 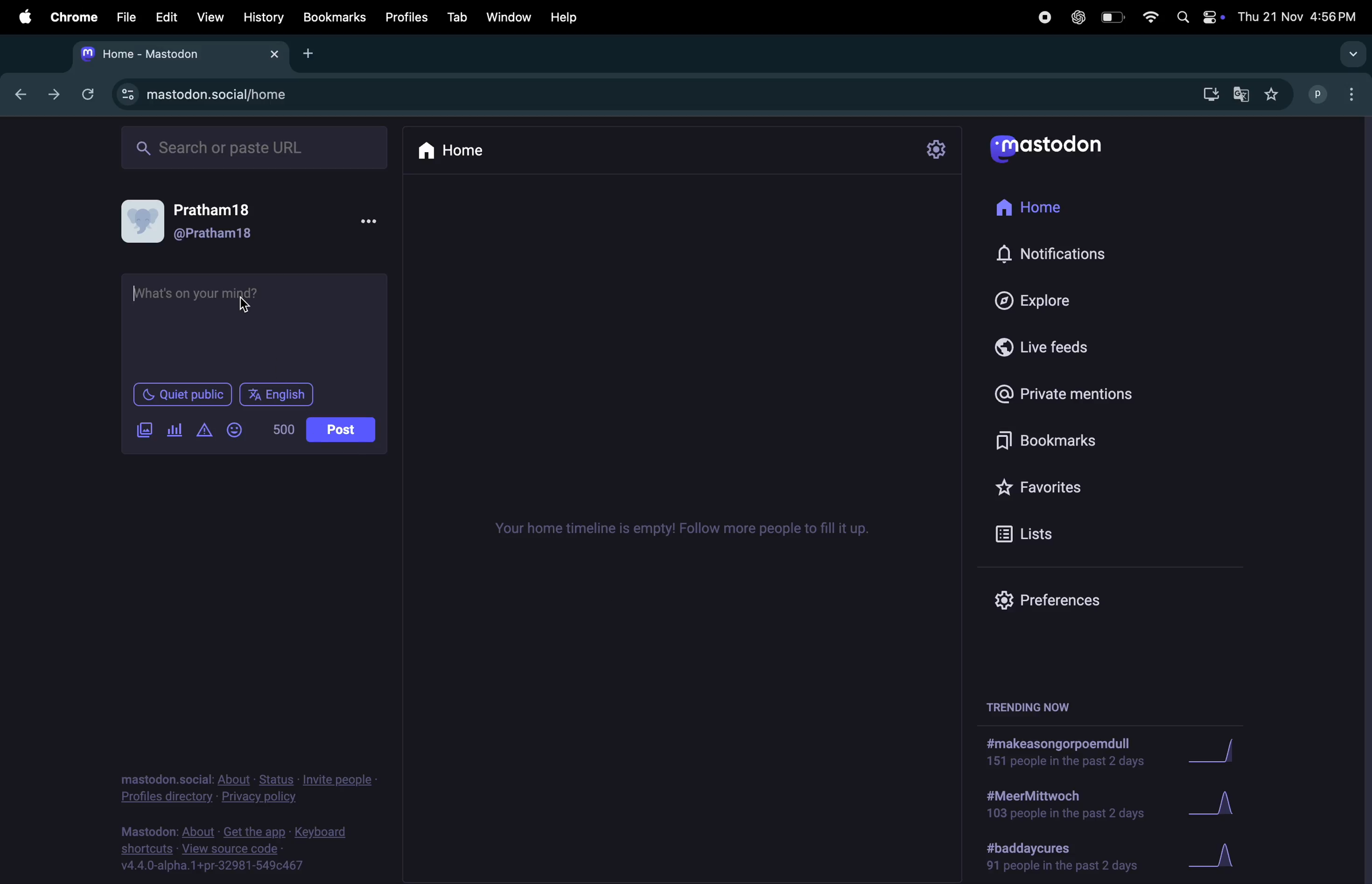 I want to click on bookmarks, so click(x=1051, y=444).